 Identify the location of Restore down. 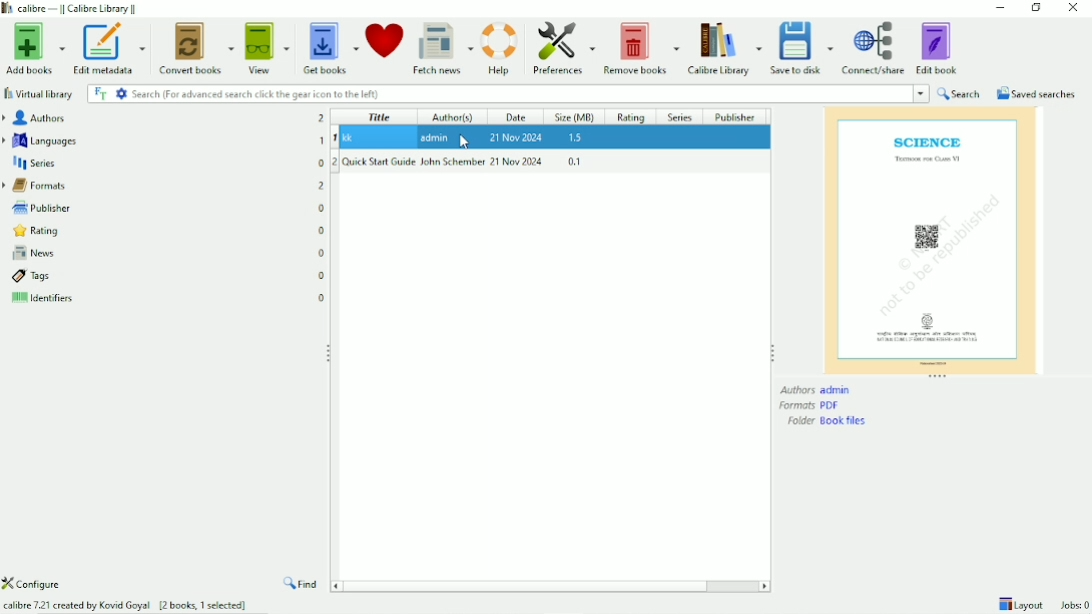
(1036, 8).